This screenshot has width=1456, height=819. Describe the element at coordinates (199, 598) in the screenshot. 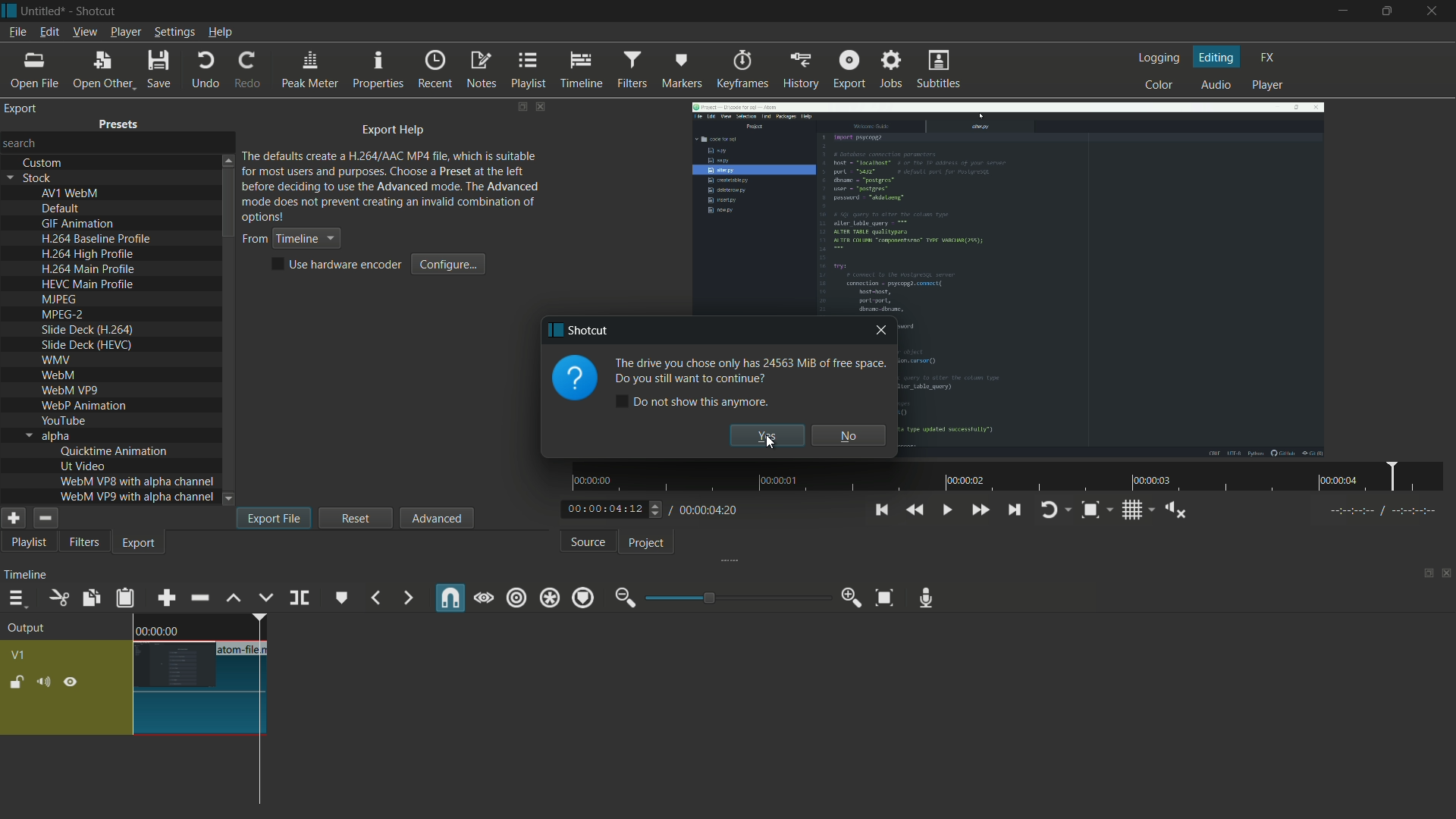

I see `ripple delete` at that location.